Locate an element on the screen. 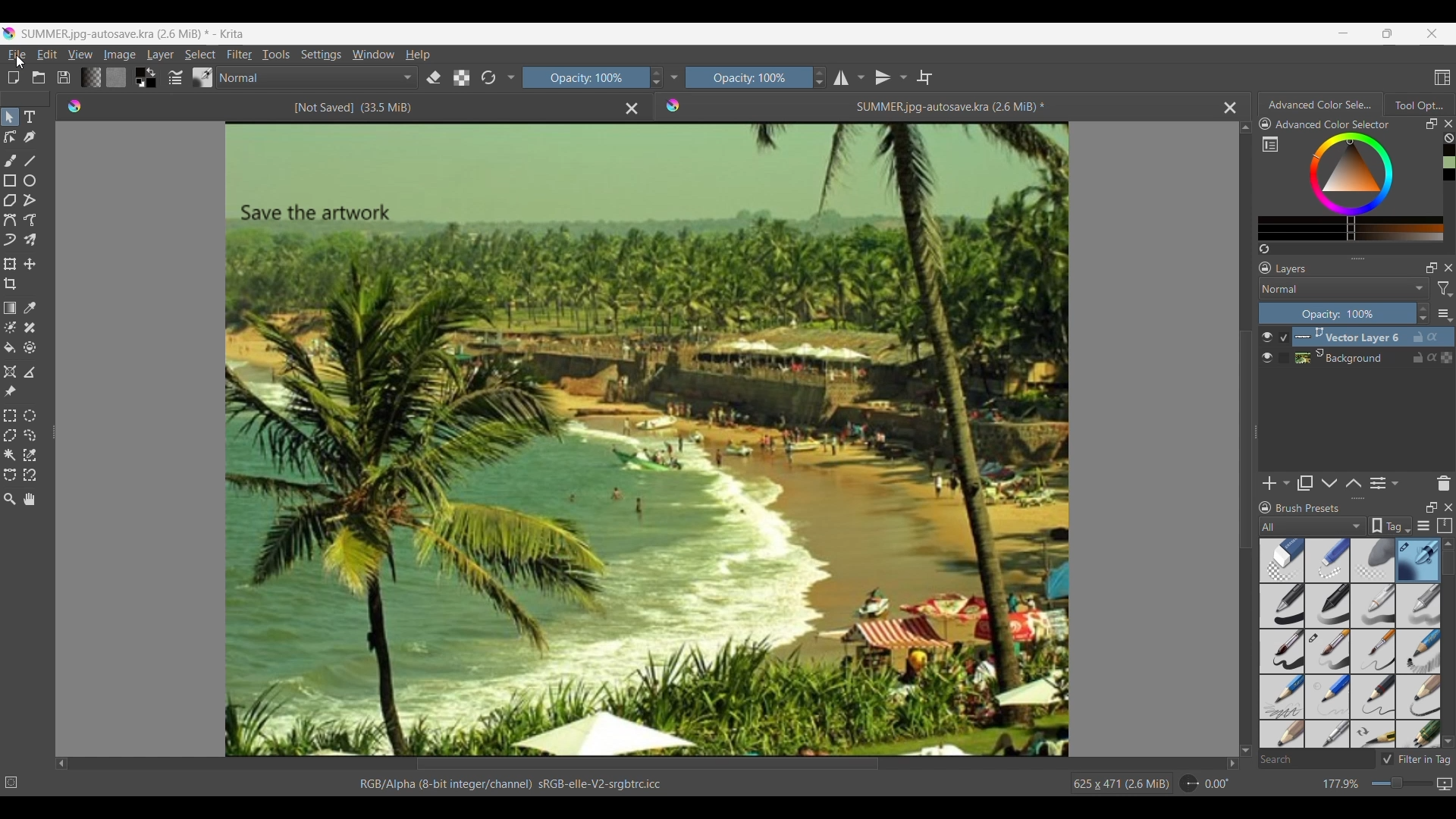  Display settings is located at coordinates (1423, 526).